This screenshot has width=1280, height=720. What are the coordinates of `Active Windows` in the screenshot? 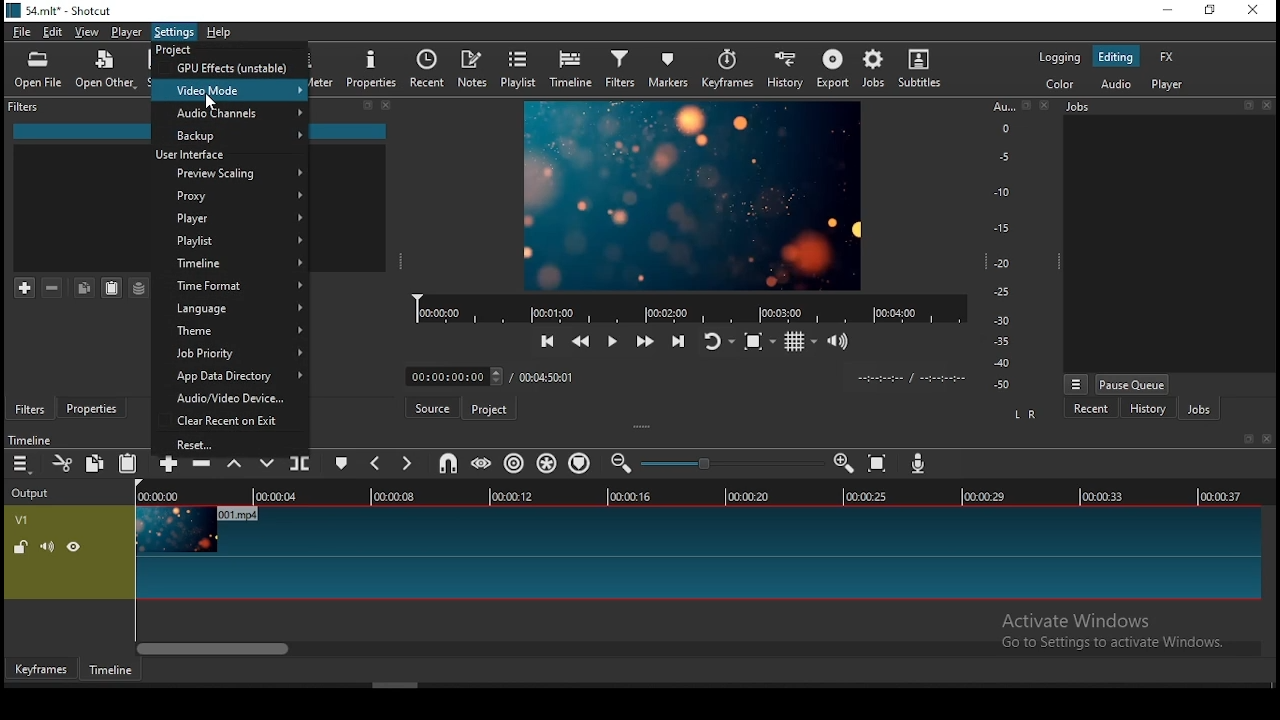 It's located at (1084, 621).